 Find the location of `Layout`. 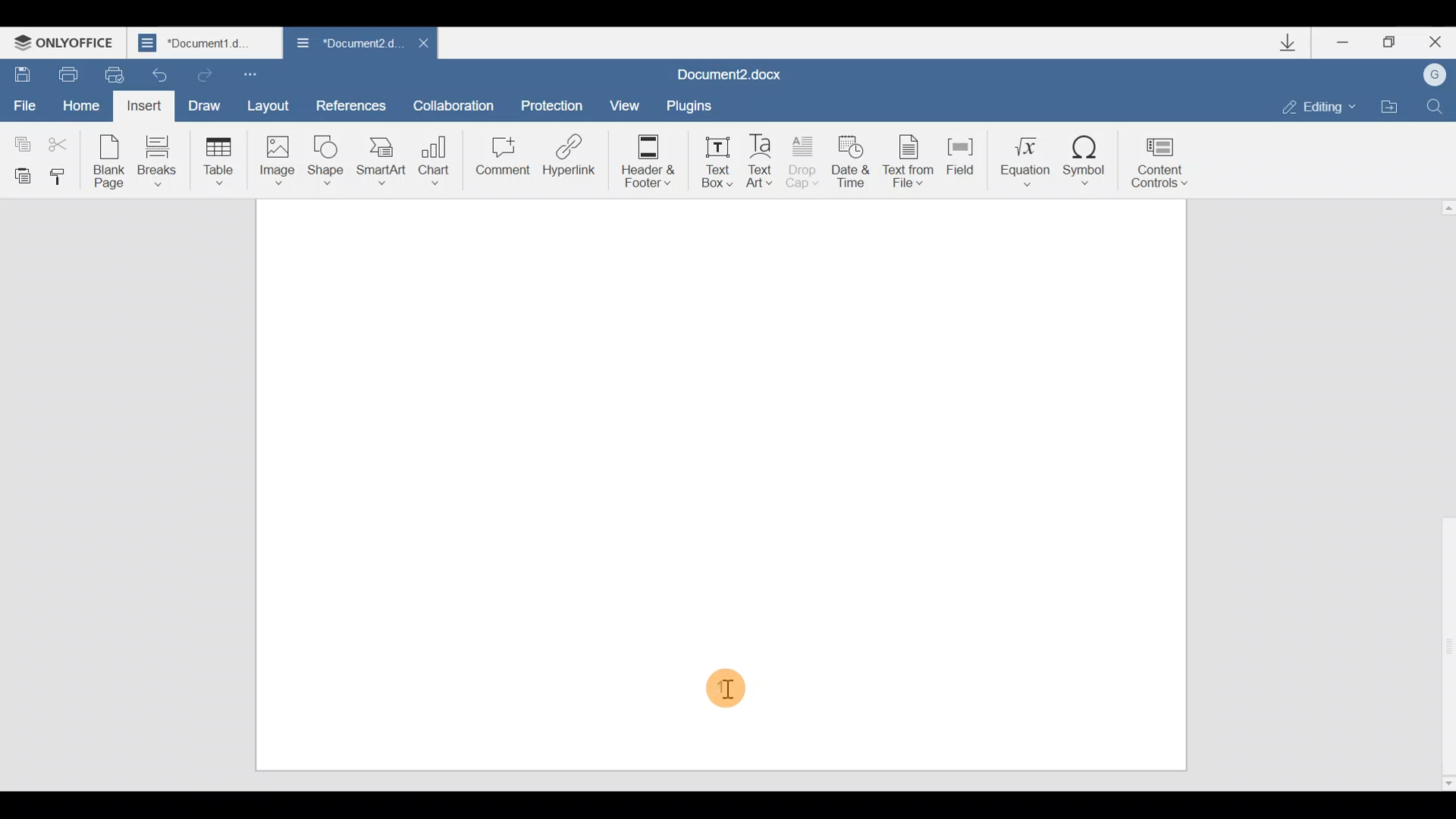

Layout is located at coordinates (273, 105).